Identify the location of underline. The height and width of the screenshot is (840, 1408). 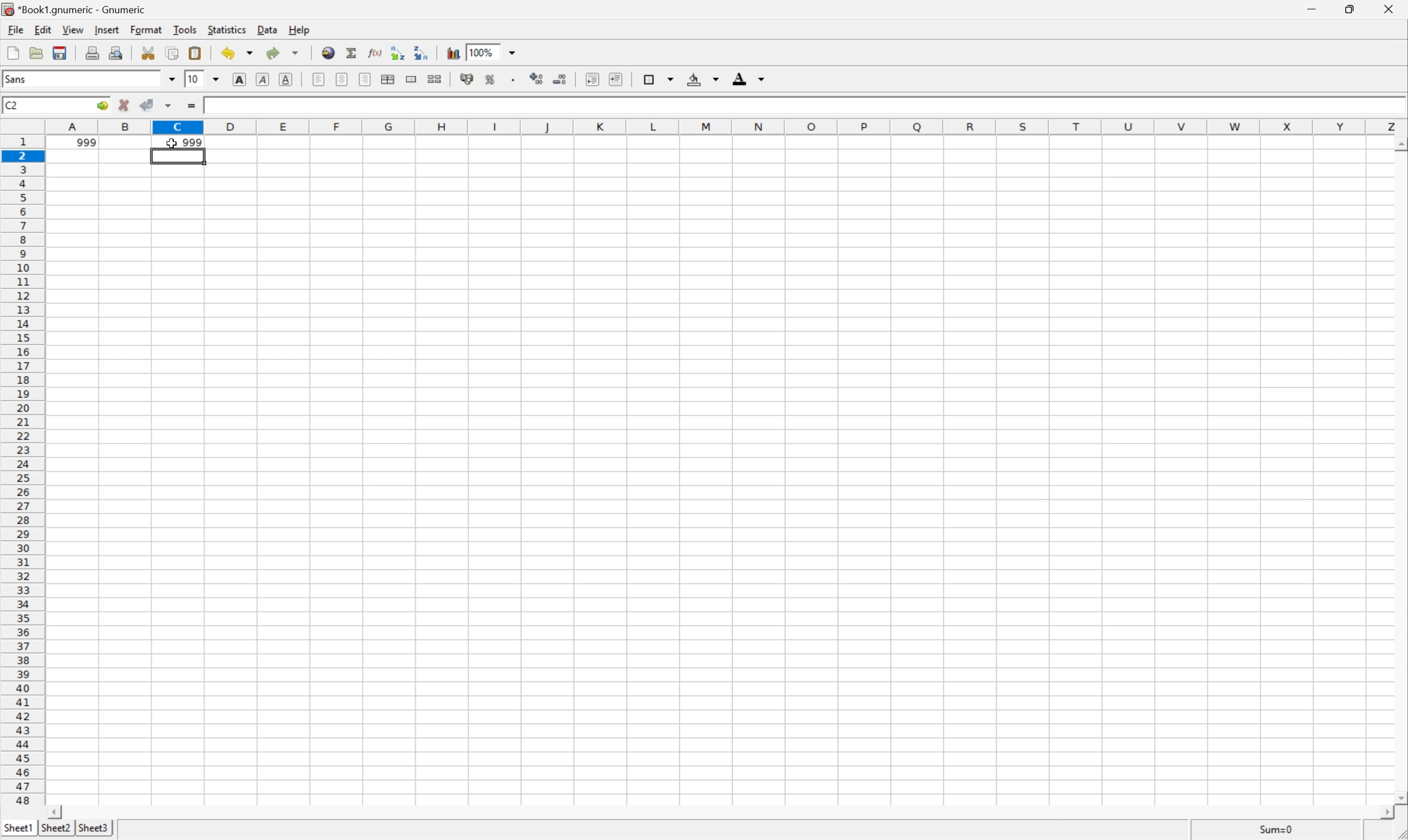
(285, 78).